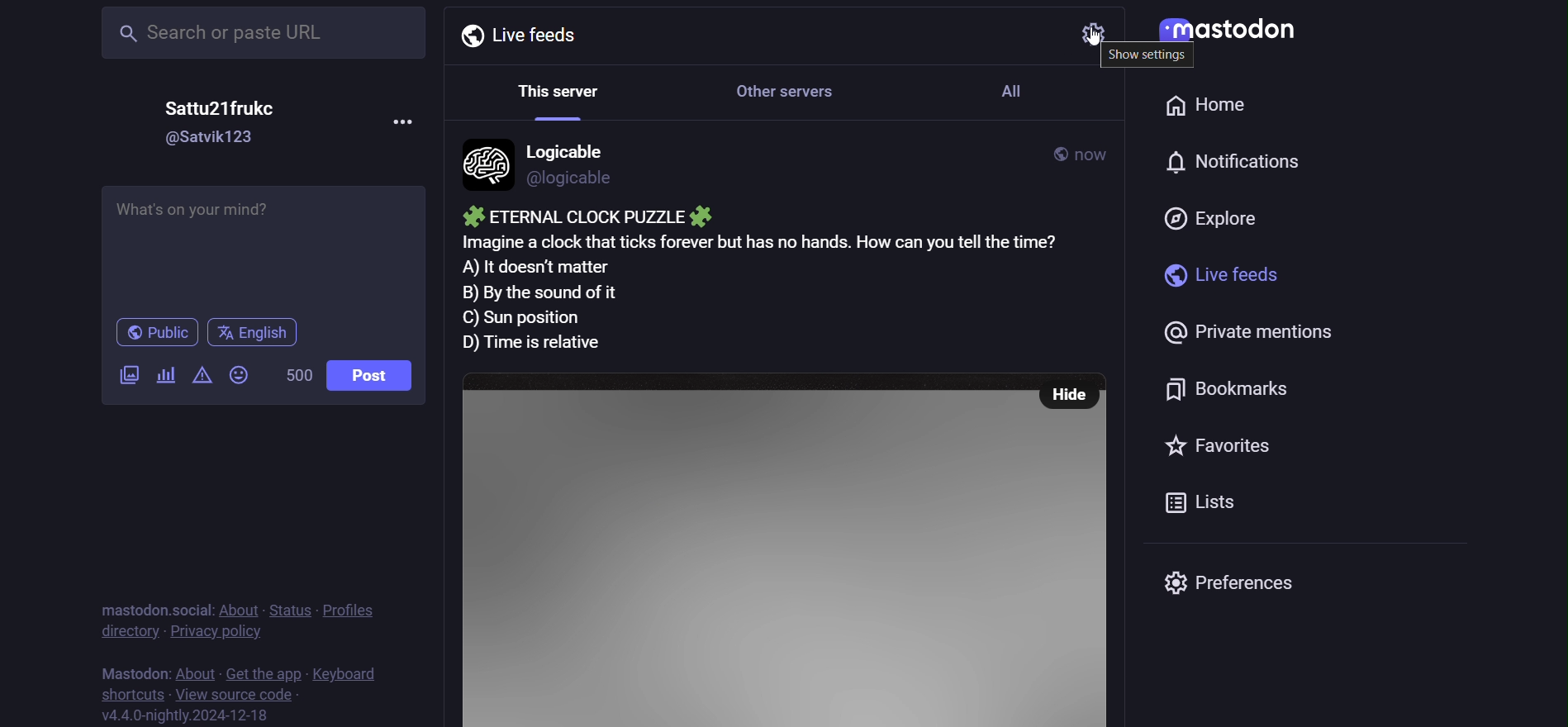 The image size is (1568, 727). Describe the element at coordinates (518, 34) in the screenshot. I see `live feed` at that location.